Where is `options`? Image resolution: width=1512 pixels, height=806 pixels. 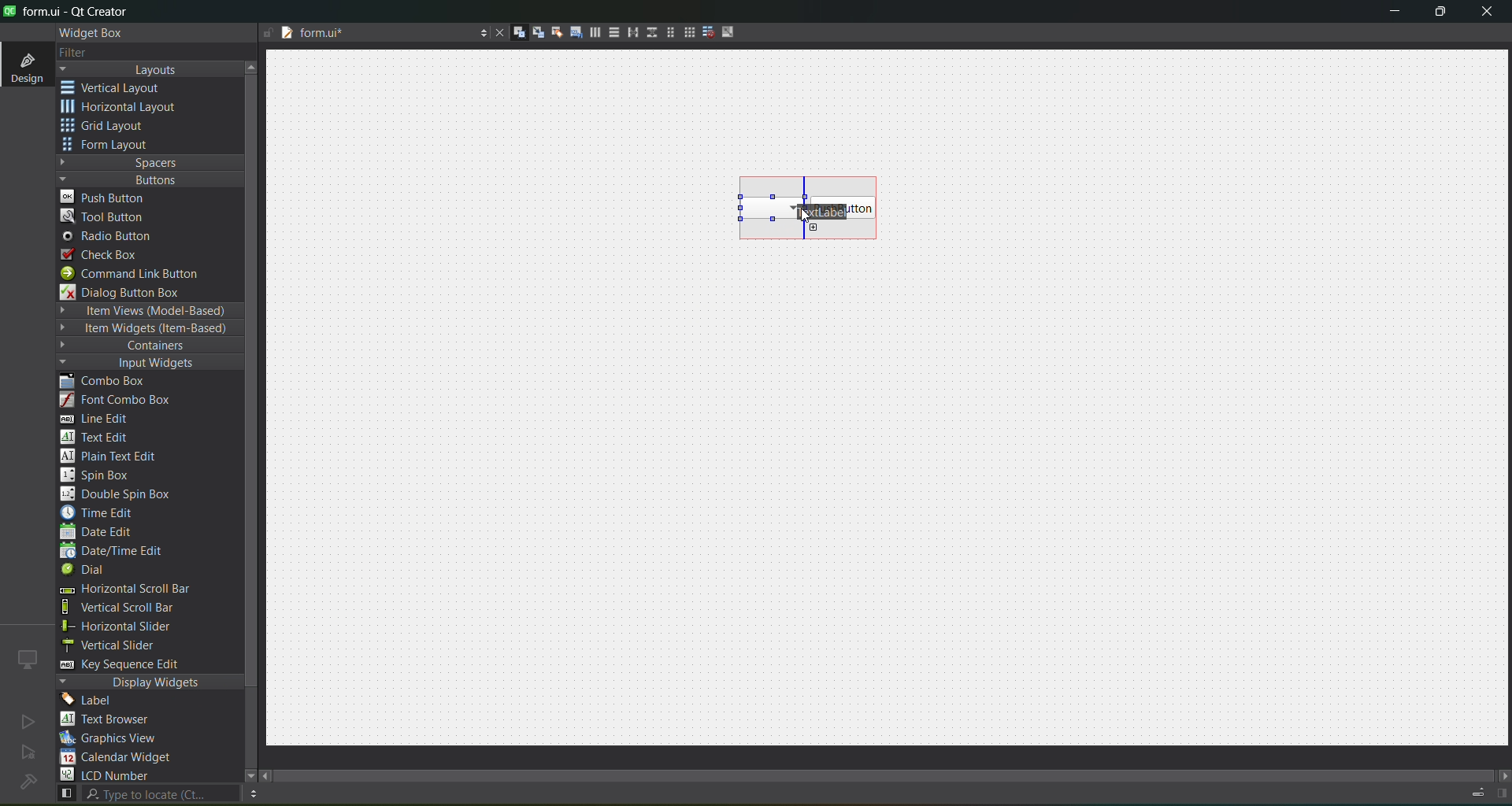 options is located at coordinates (479, 35).